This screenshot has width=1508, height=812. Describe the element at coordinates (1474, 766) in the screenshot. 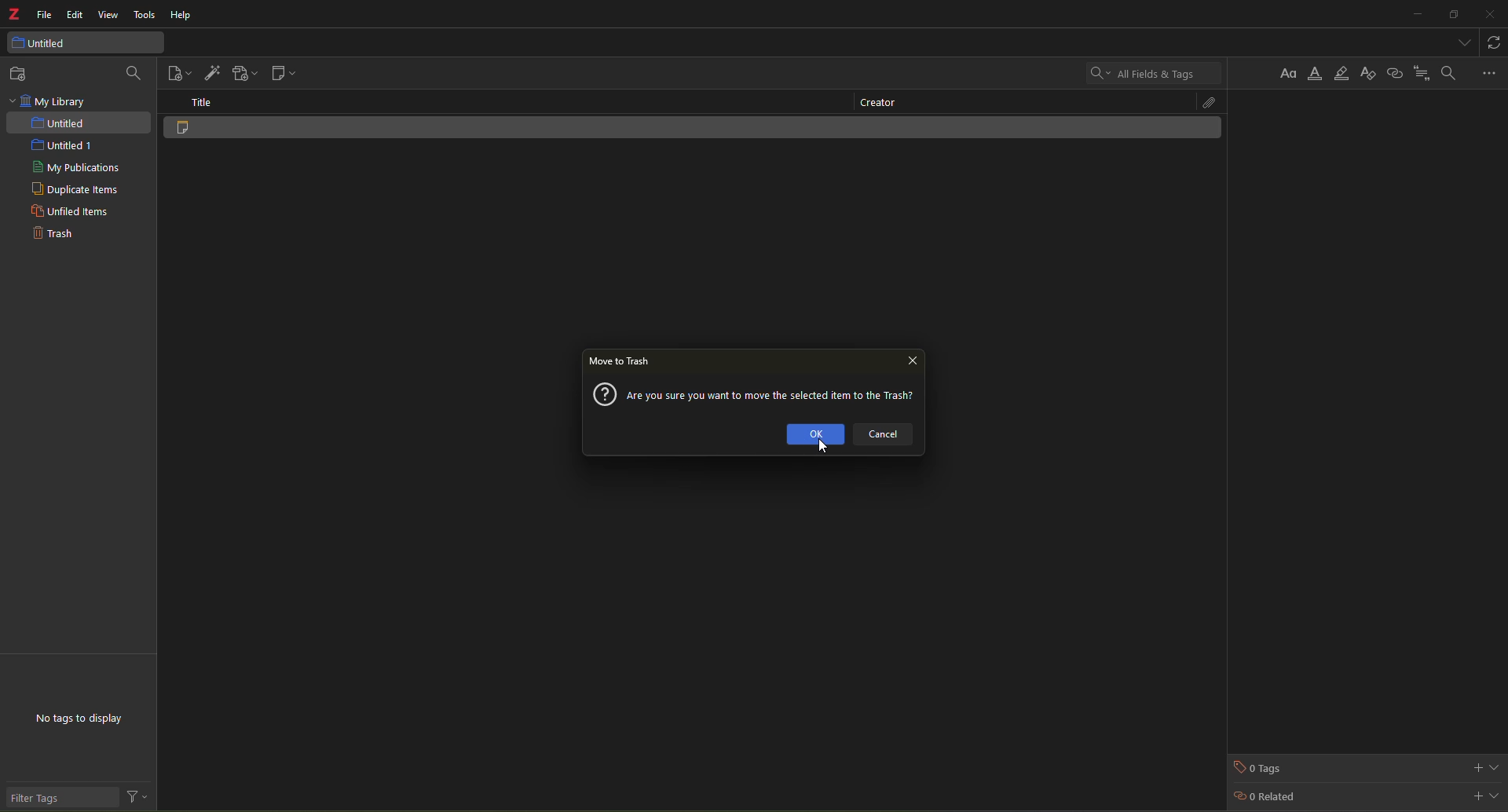

I see `add` at that location.